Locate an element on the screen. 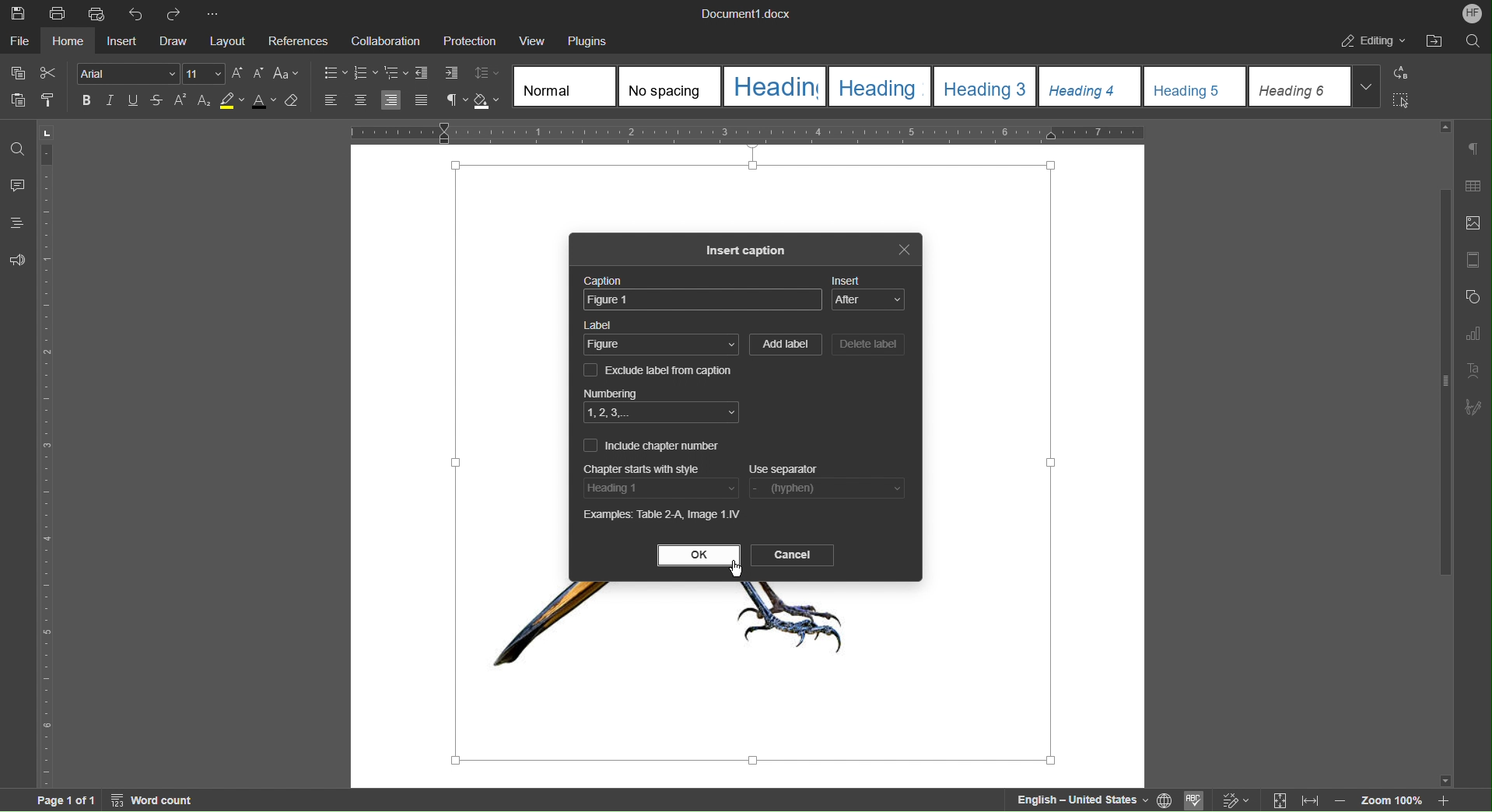  Delete label is located at coordinates (868, 345).